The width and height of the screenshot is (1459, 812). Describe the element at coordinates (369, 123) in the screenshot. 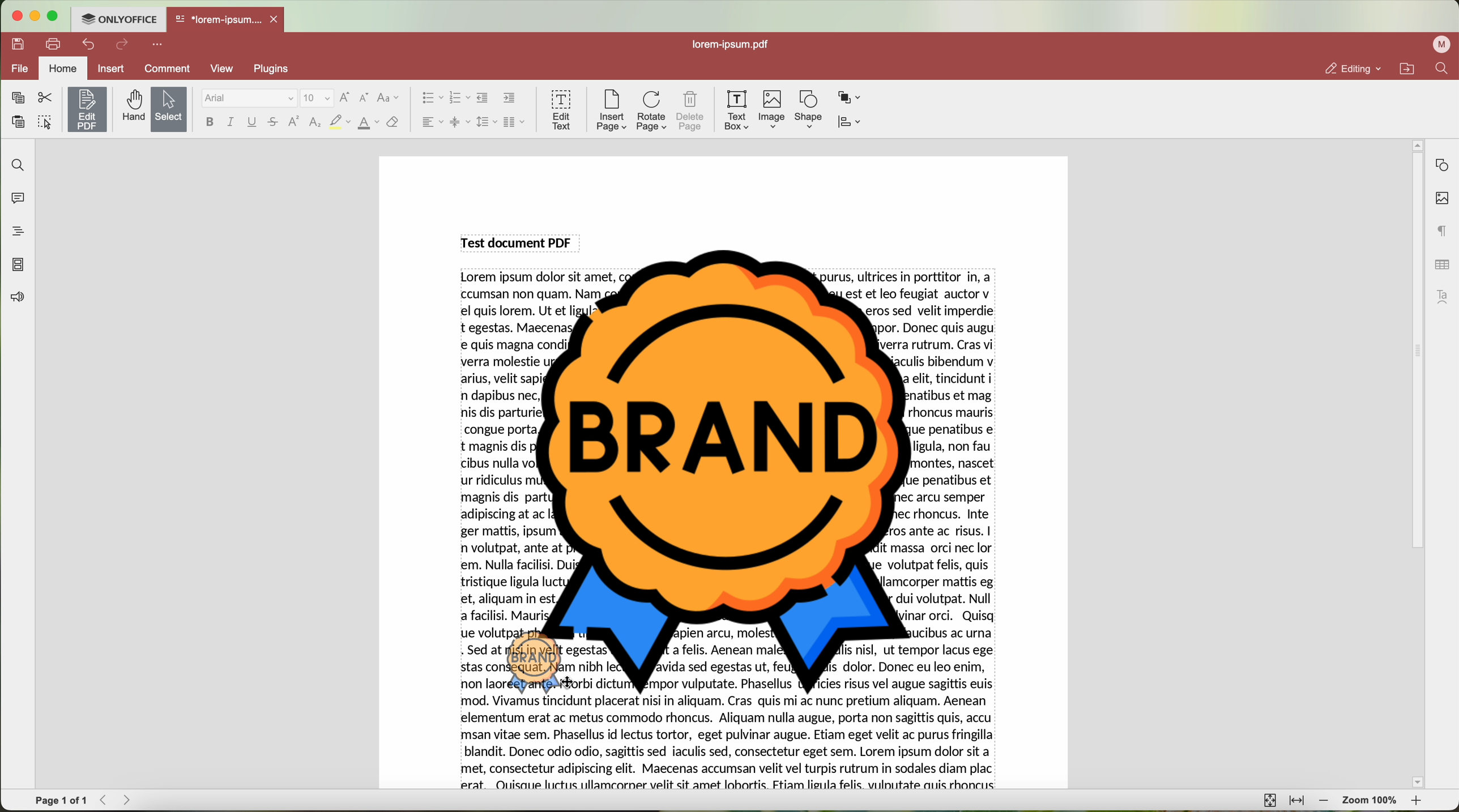

I see `color type` at that location.